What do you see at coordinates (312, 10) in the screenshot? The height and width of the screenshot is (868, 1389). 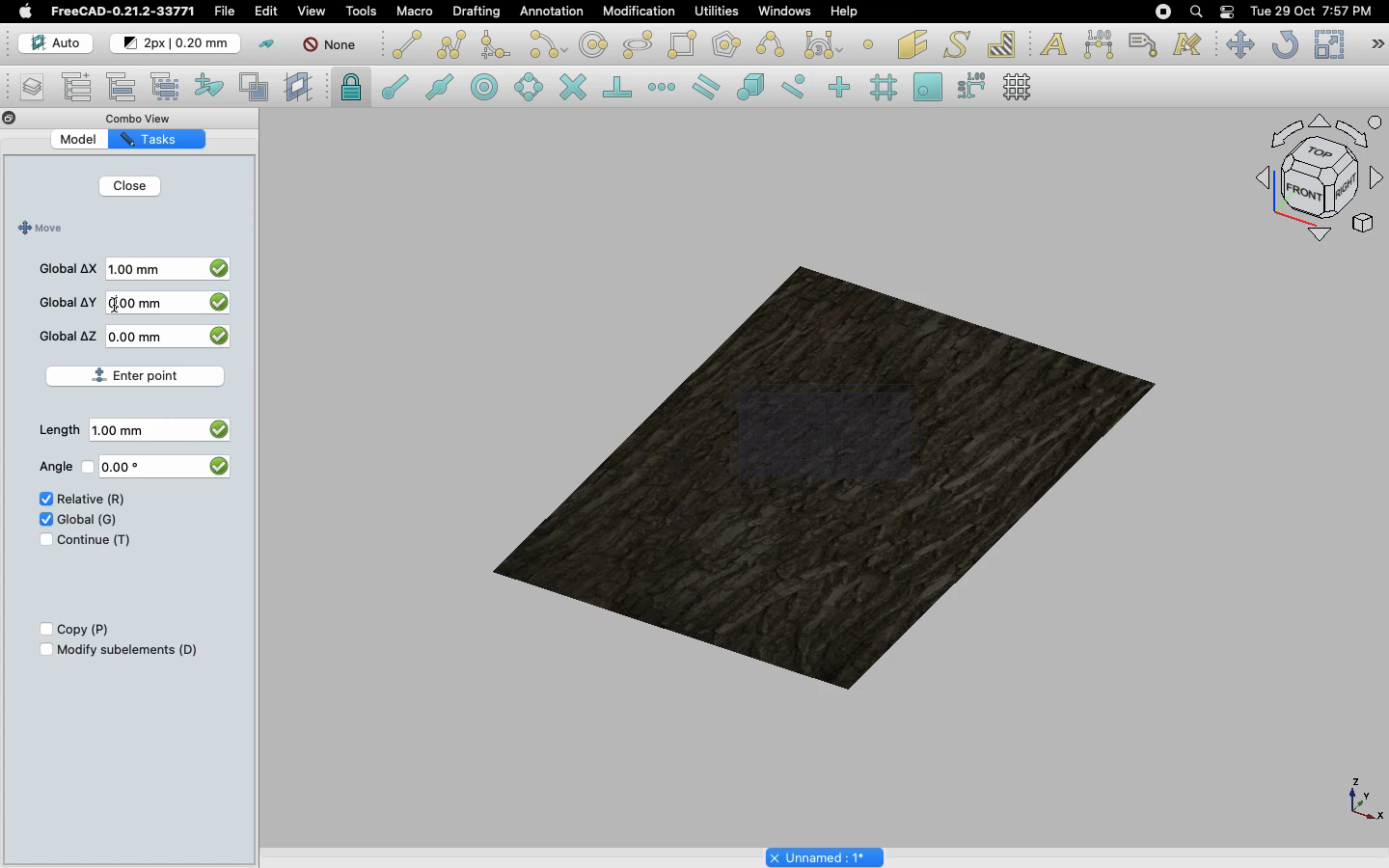 I see `View` at bounding box center [312, 10].